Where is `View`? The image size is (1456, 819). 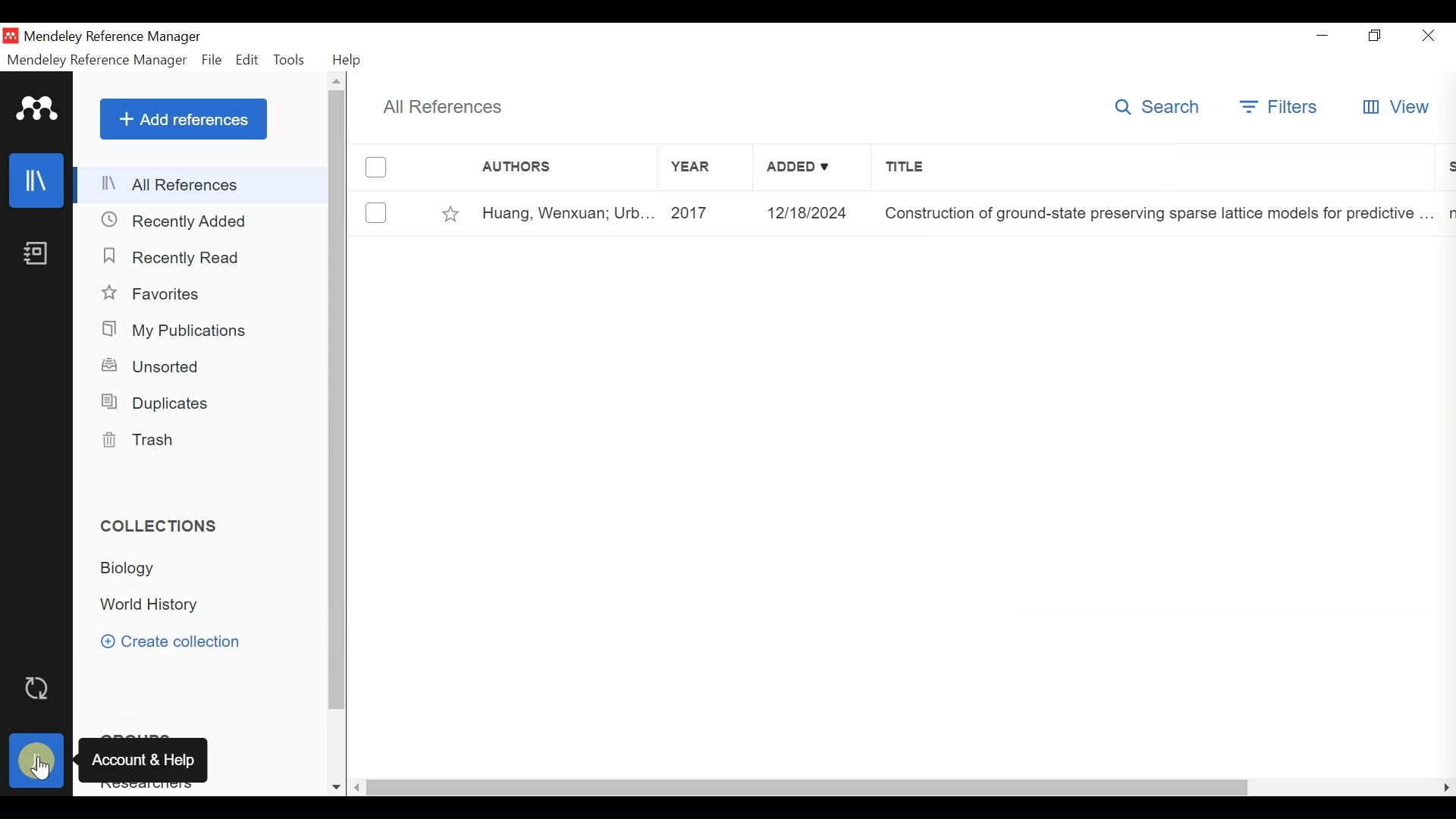
View is located at coordinates (1398, 107).